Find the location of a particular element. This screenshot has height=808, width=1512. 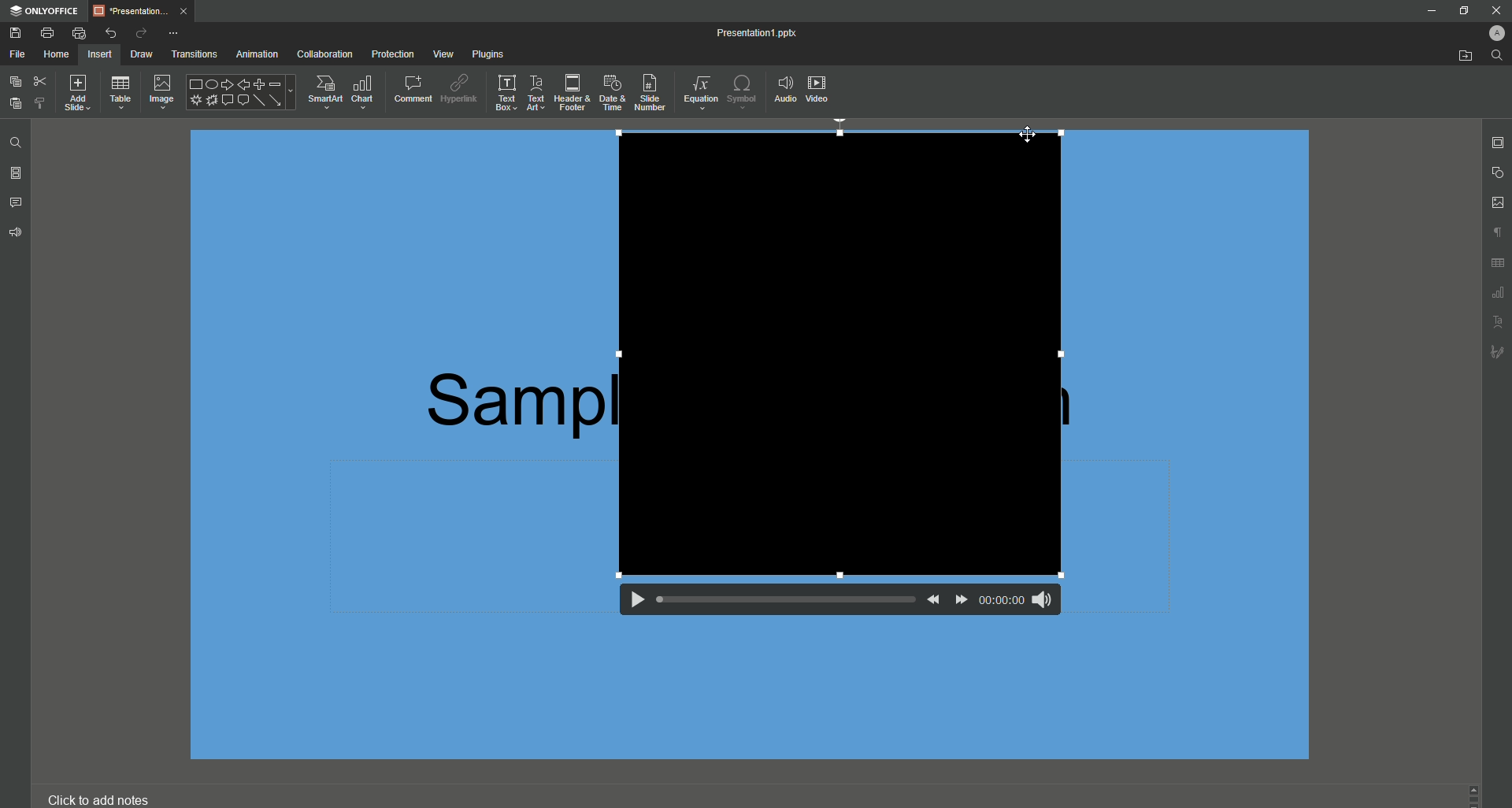

Undo is located at coordinates (110, 31).